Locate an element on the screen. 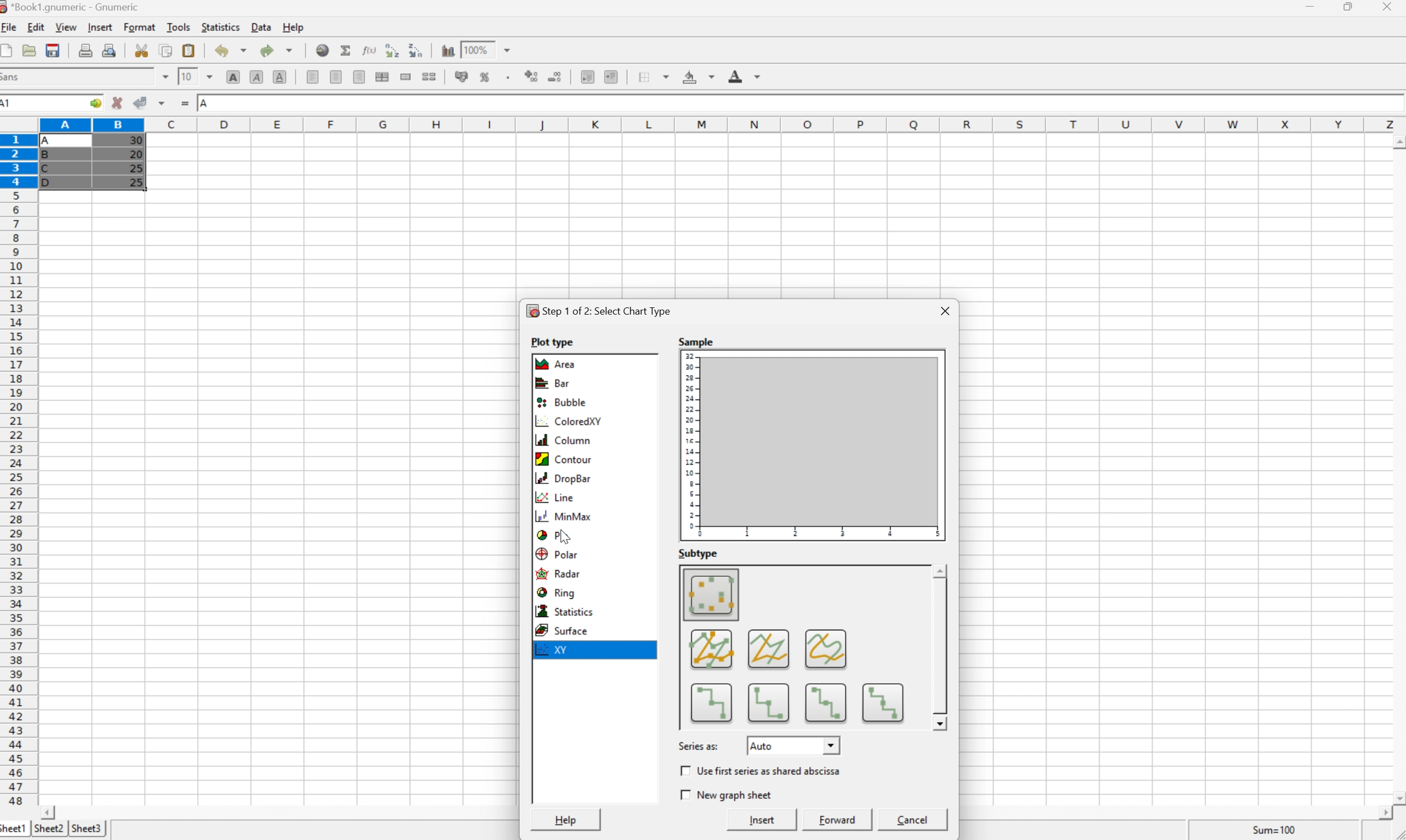 The height and width of the screenshot is (840, 1406). Contour is located at coordinates (562, 460).